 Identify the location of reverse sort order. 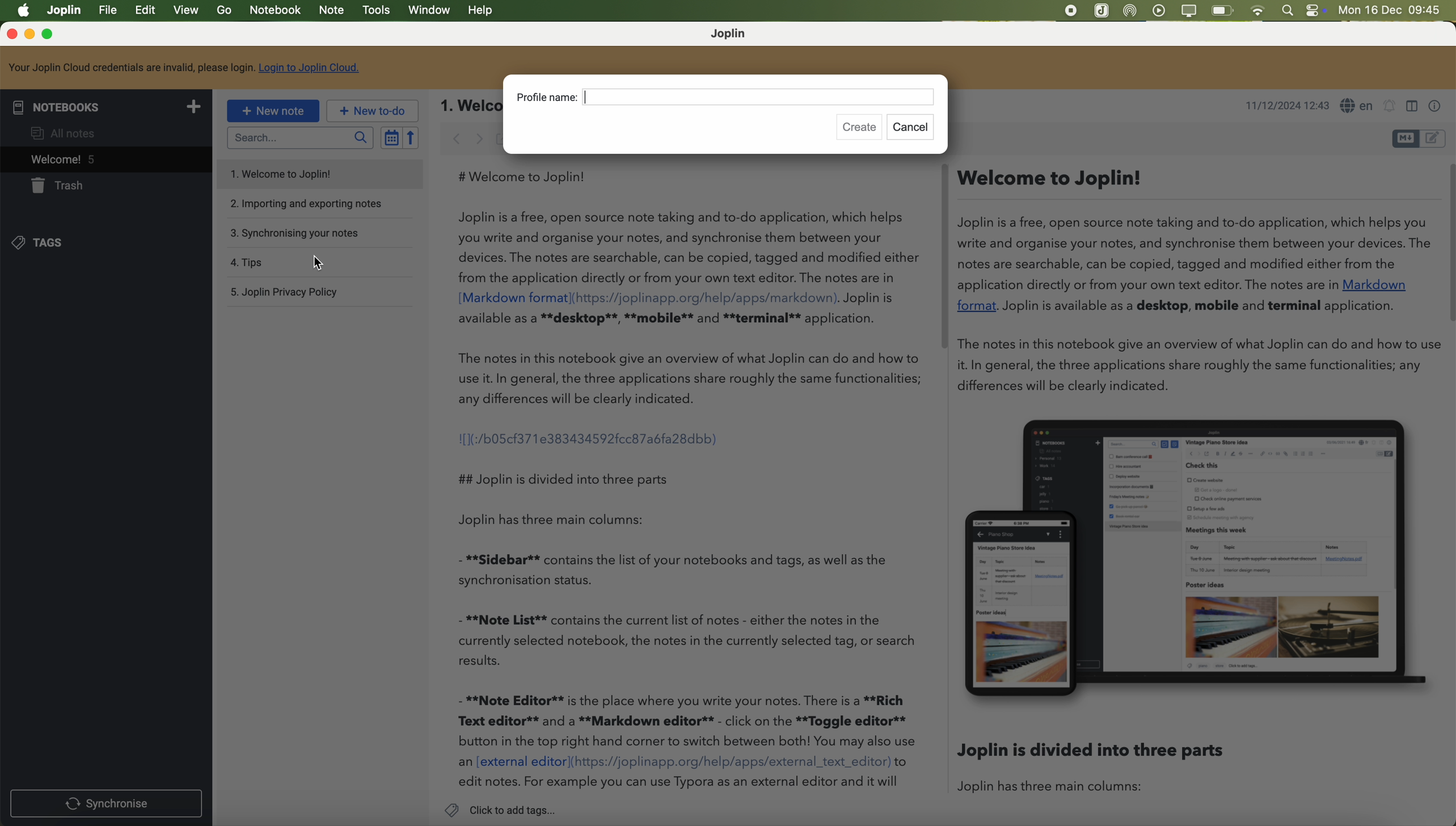
(410, 138).